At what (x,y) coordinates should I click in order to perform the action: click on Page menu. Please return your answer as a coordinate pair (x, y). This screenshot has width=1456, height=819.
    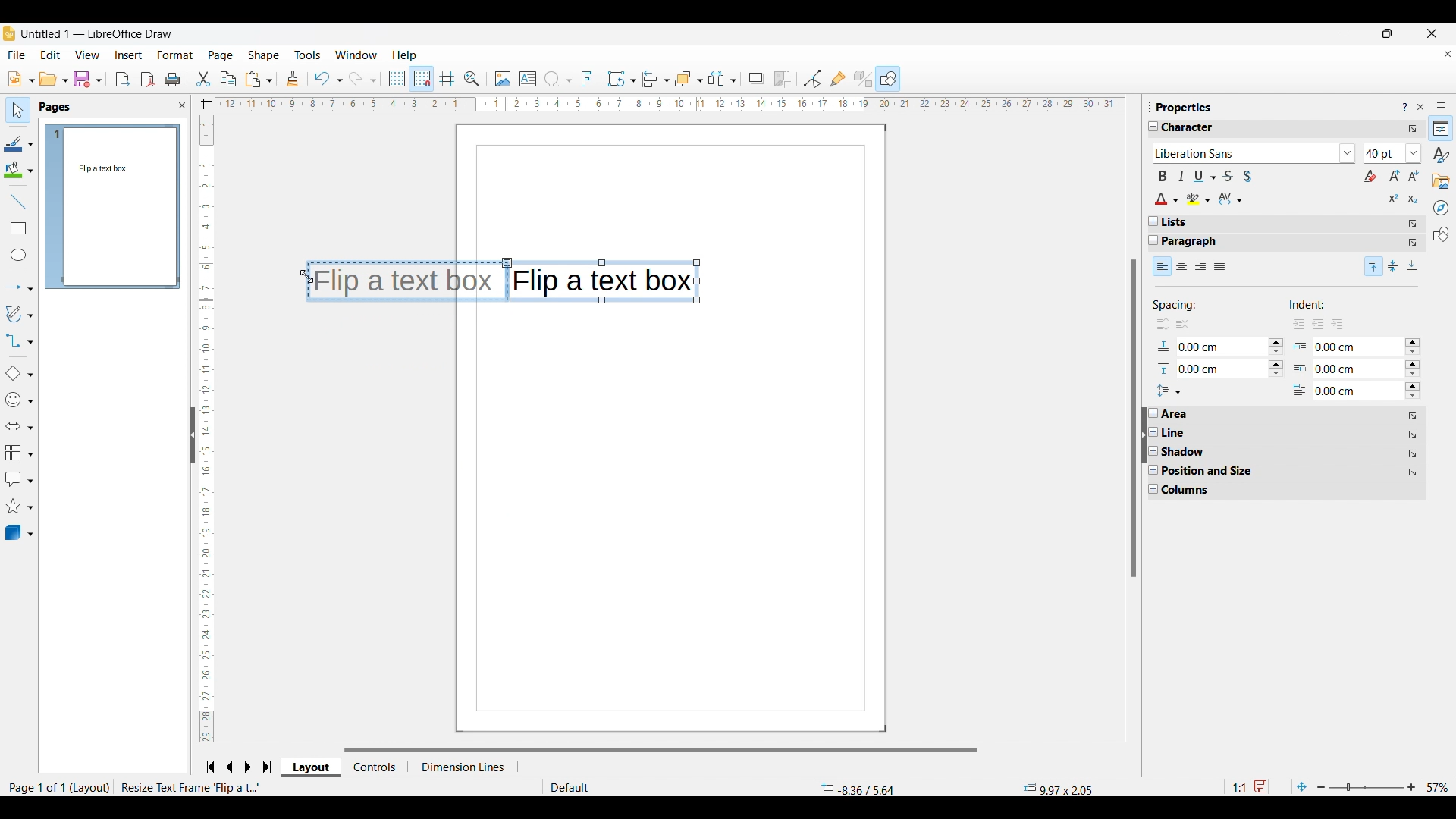
    Looking at the image, I should click on (221, 56).